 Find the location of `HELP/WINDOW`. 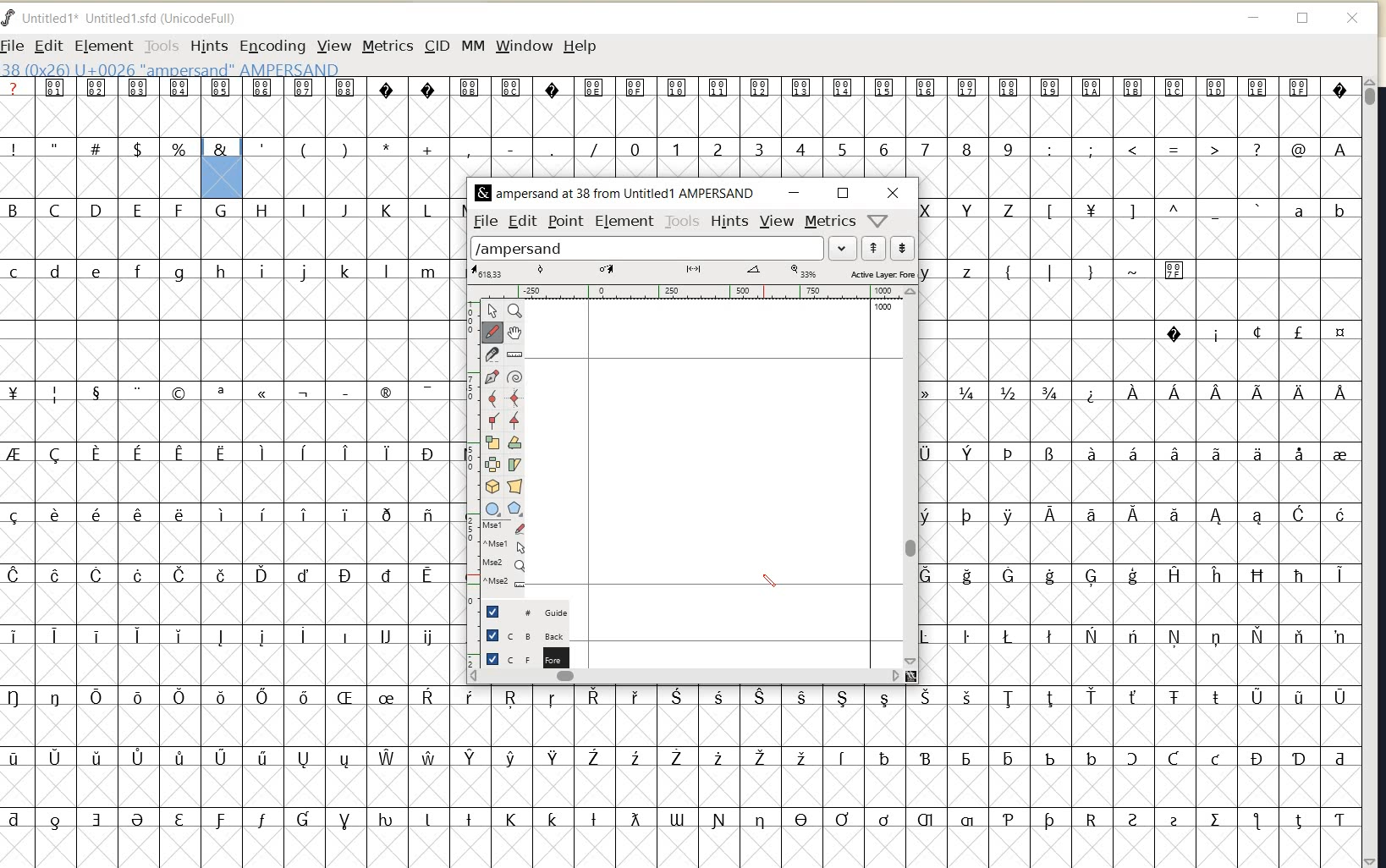

HELP/WINDOW is located at coordinates (878, 220).